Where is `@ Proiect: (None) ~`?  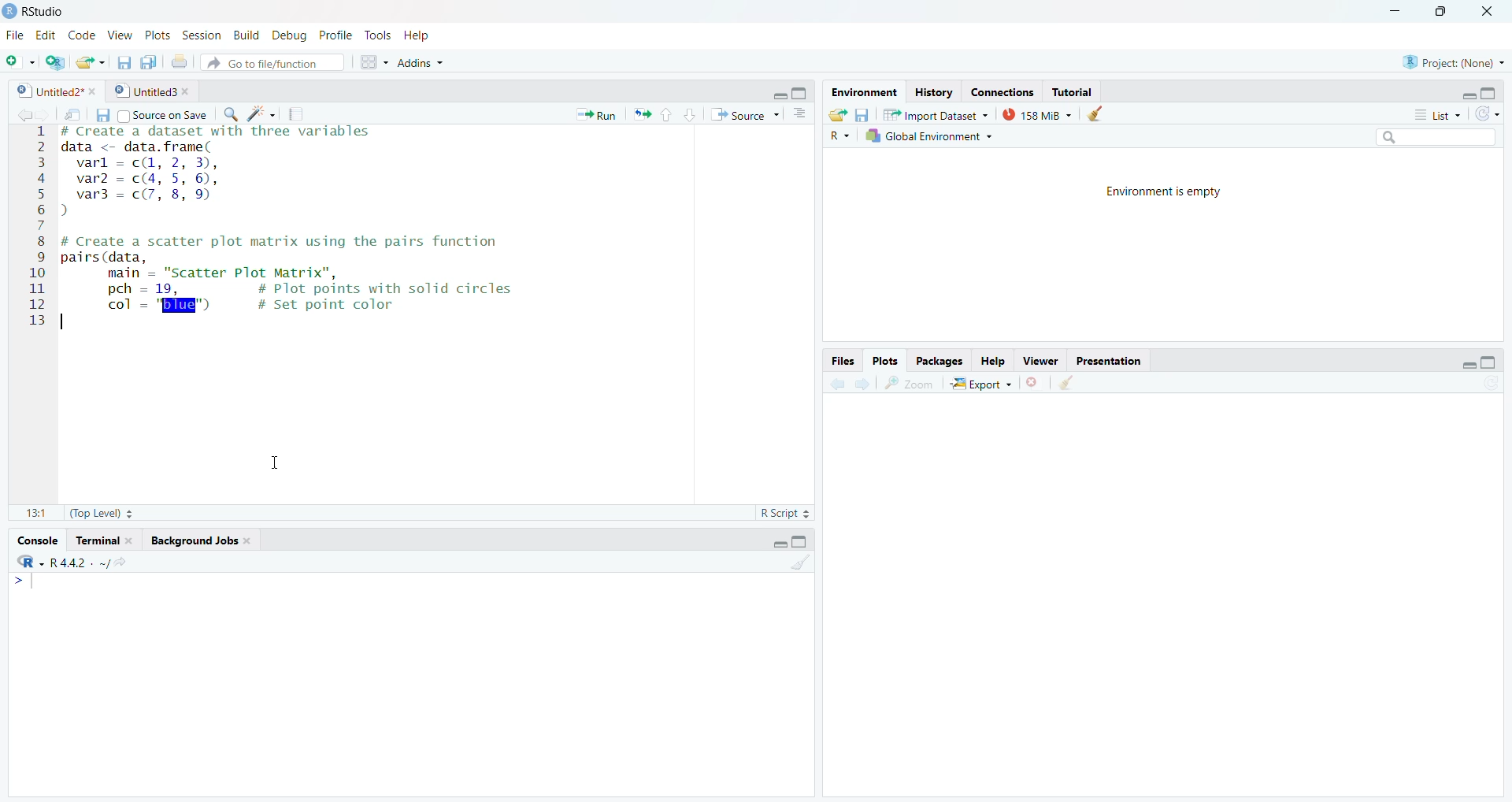 @ Proiect: (None) ~ is located at coordinates (1450, 58).